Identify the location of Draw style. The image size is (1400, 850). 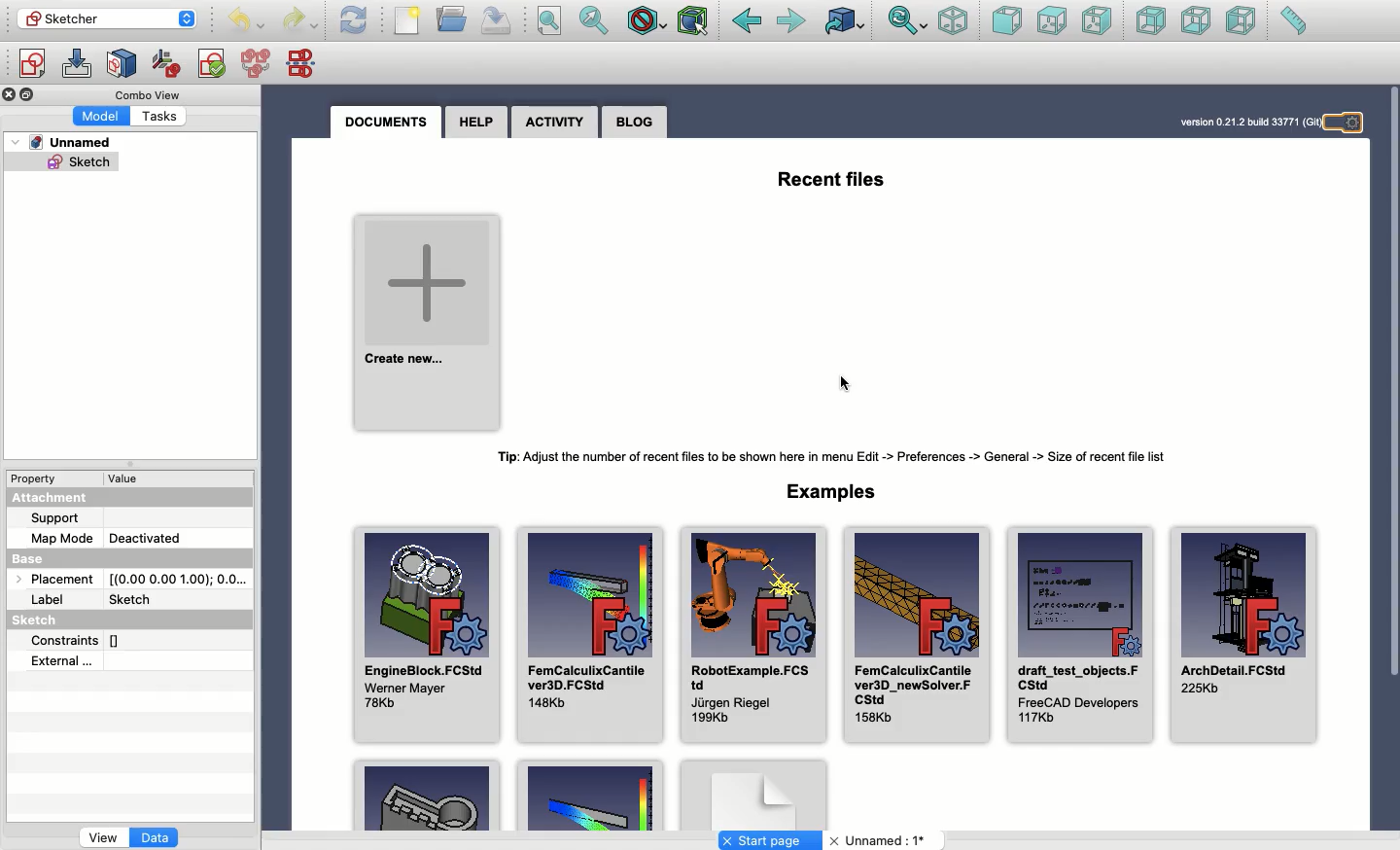
(648, 20).